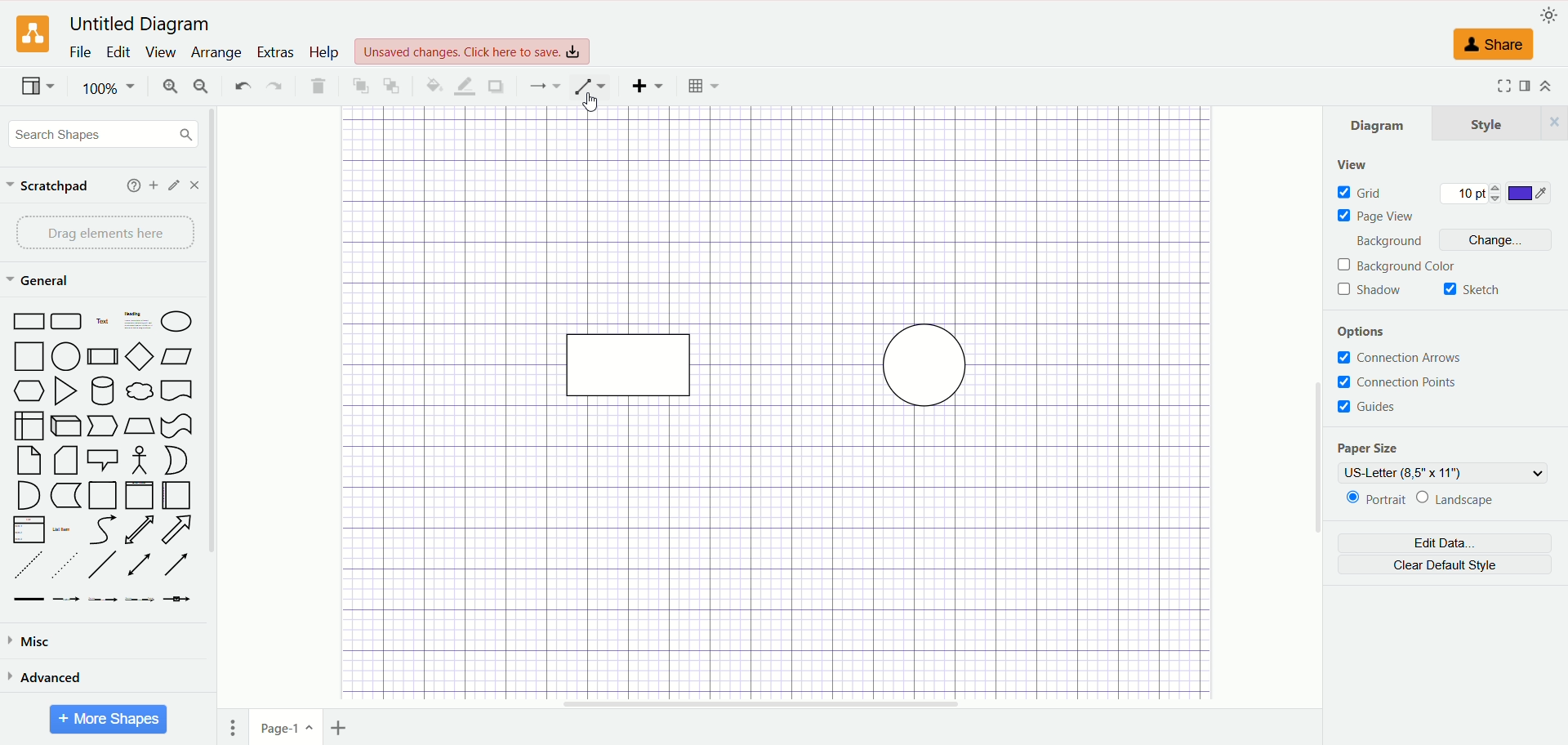 This screenshot has width=1568, height=745. What do you see at coordinates (771, 405) in the screenshot?
I see `canvas with shapes` at bounding box center [771, 405].